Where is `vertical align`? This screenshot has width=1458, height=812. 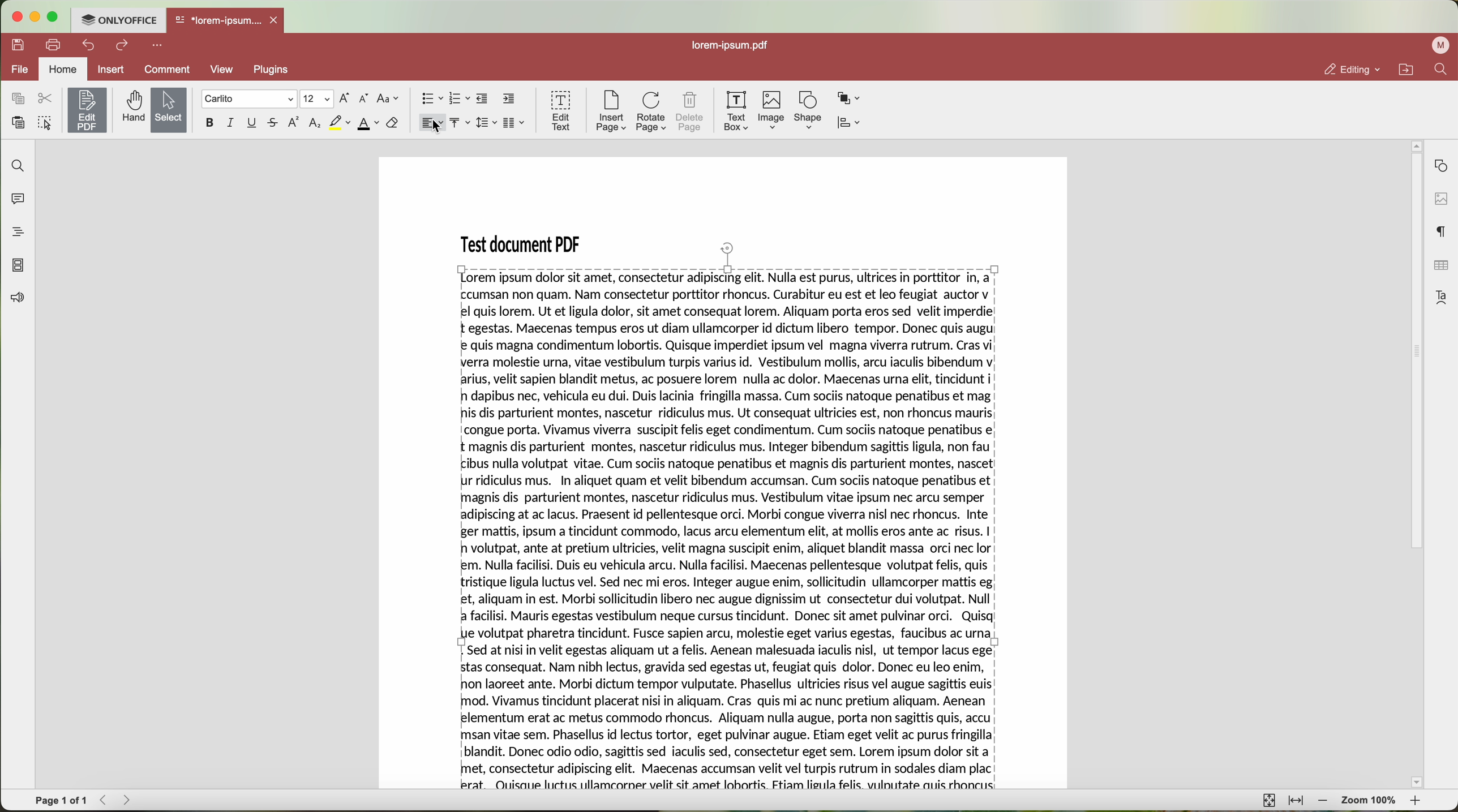
vertical align is located at coordinates (458, 121).